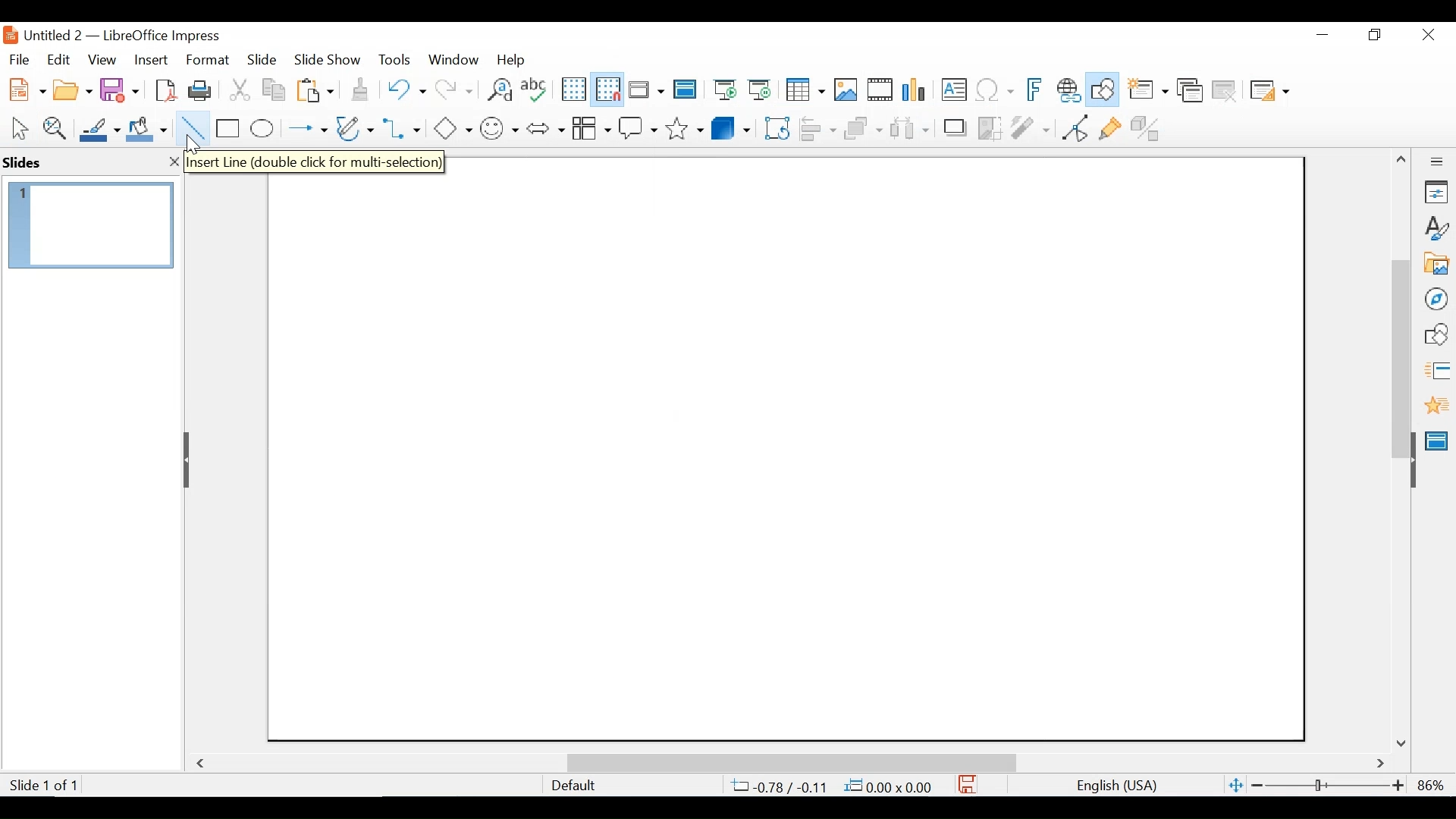 The image size is (1456, 819). What do you see at coordinates (1236, 786) in the screenshot?
I see `Fit Slide to current window` at bounding box center [1236, 786].